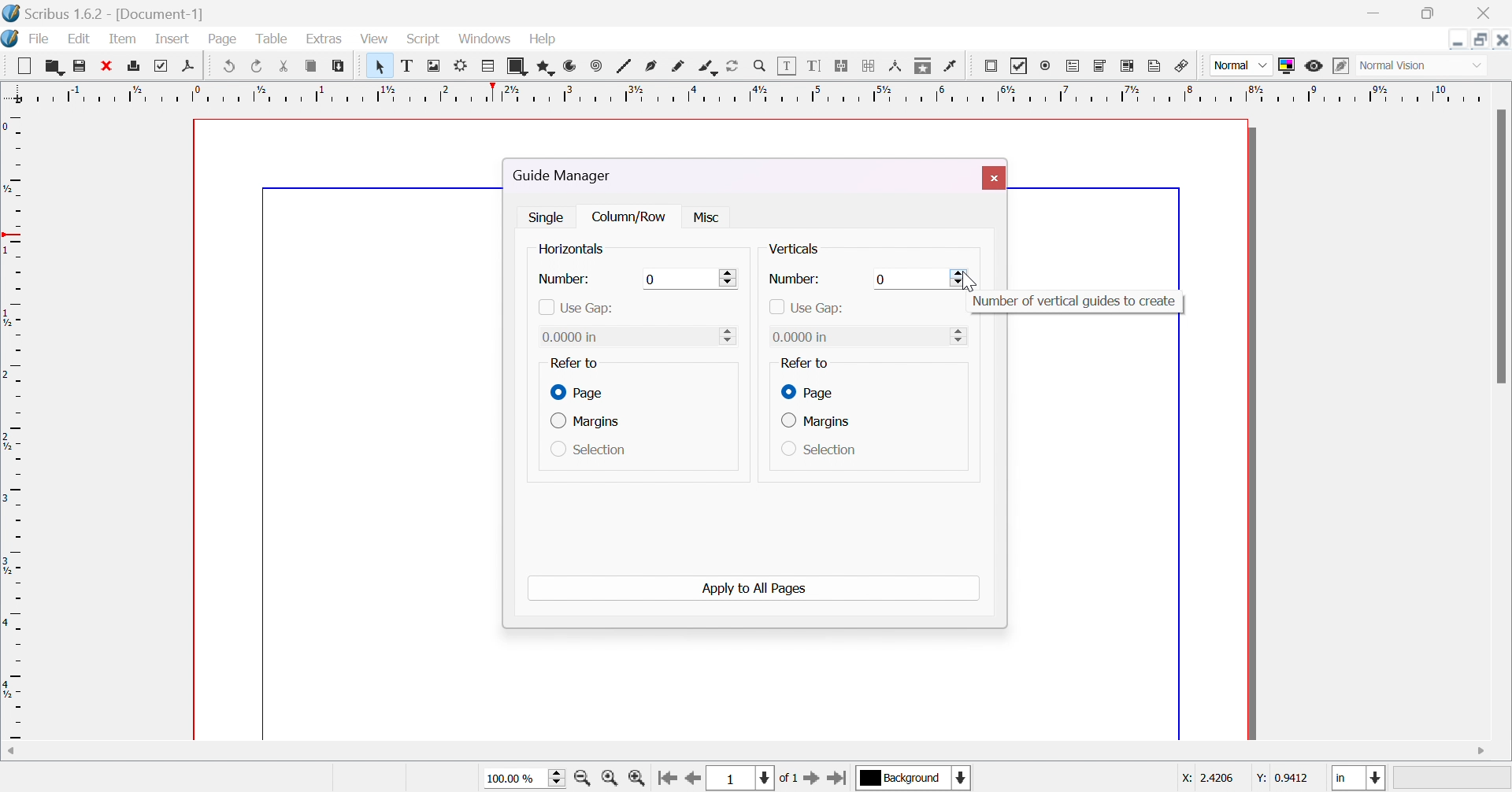 The height and width of the screenshot is (792, 1512). What do you see at coordinates (1488, 11) in the screenshot?
I see `close` at bounding box center [1488, 11].